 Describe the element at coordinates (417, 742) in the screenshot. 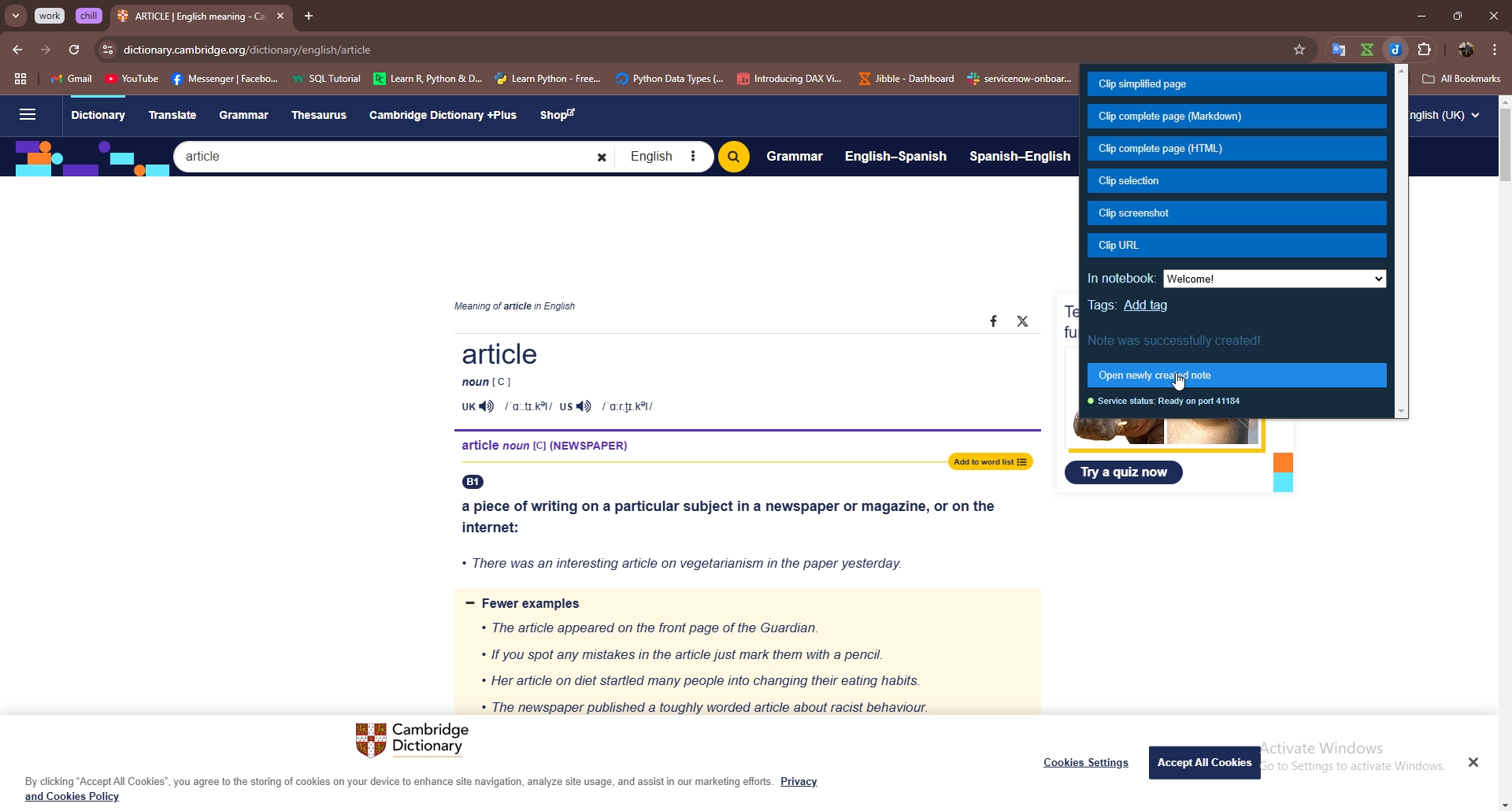

I see ` Cambridge Dictionary` at that location.